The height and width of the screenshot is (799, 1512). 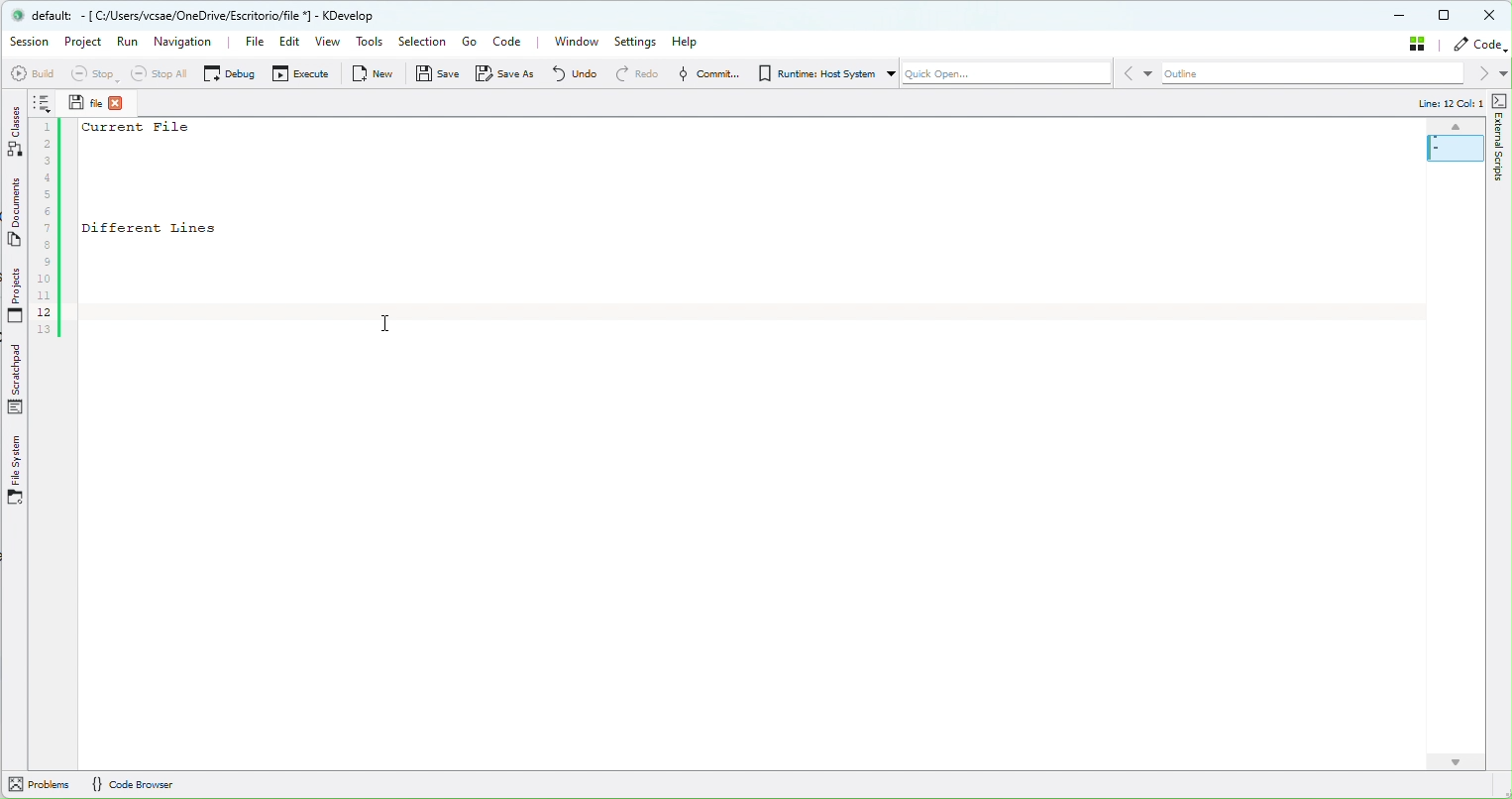 What do you see at coordinates (32, 73) in the screenshot?
I see `Build` at bounding box center [32, 73].